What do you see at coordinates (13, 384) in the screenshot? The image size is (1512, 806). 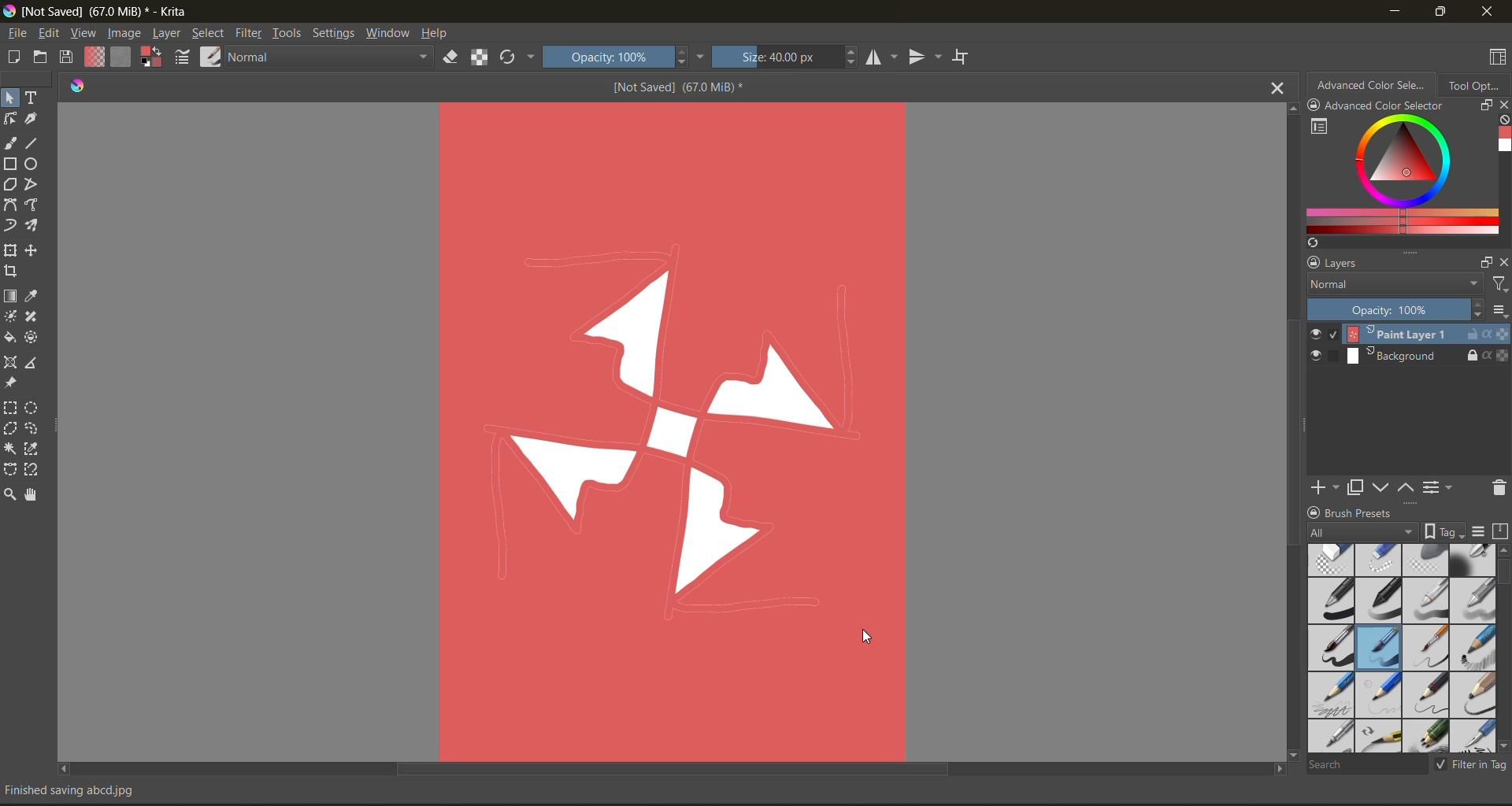 I see `tools` at bounding box center [13, 384].